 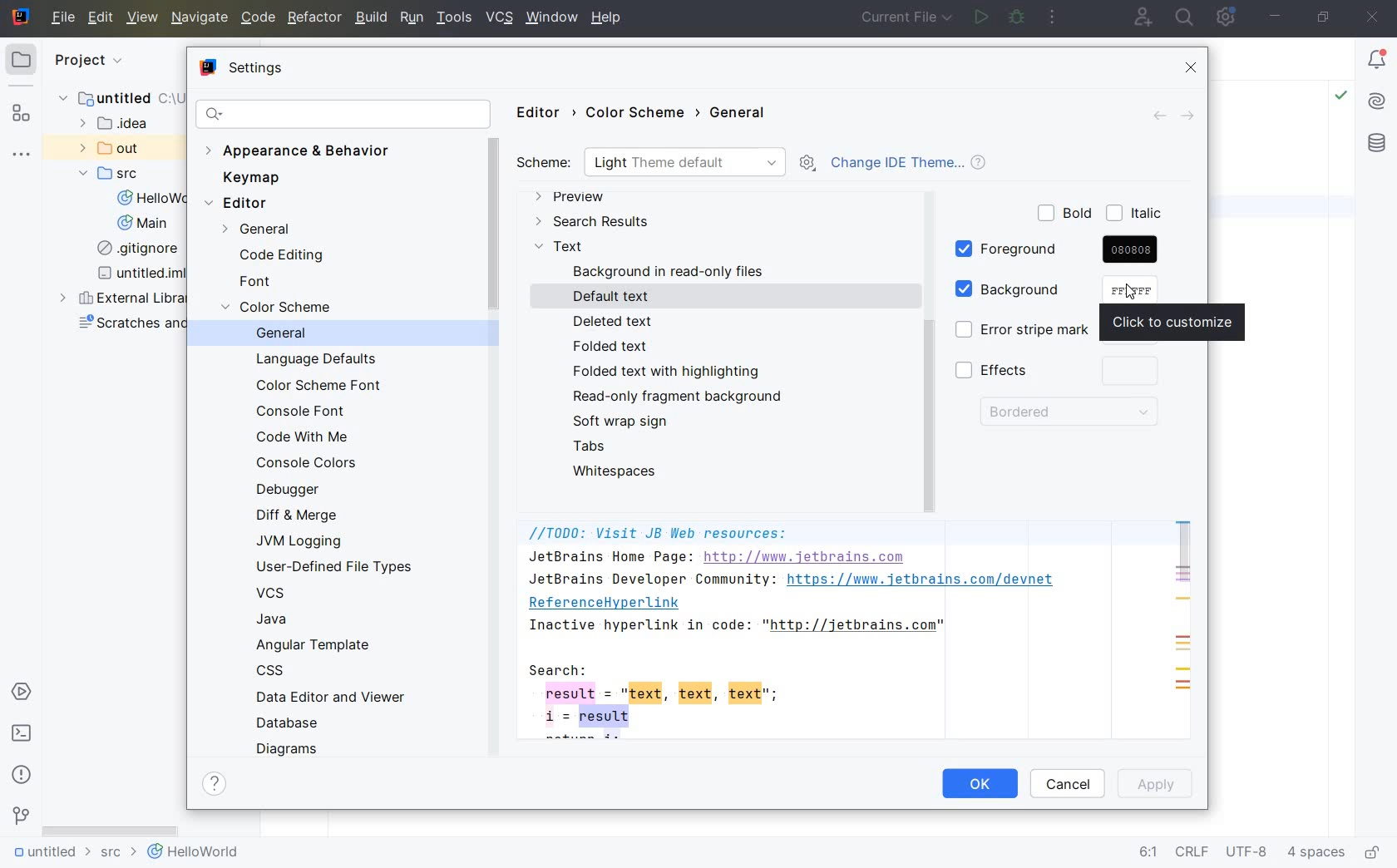 I want to click on line separator, so click(x=1191, y=854).